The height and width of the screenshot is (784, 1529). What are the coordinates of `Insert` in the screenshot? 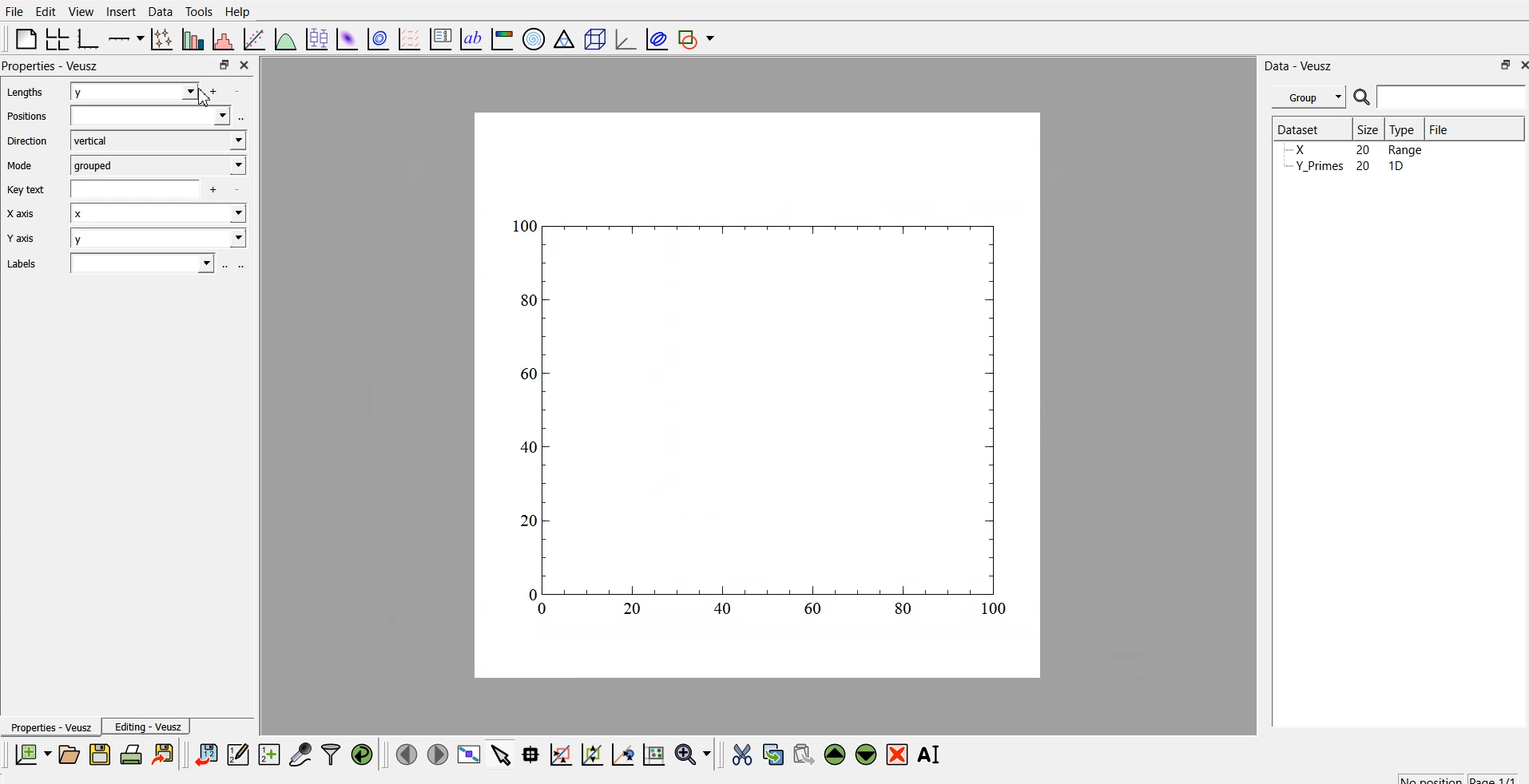 It's located at (121, 11).